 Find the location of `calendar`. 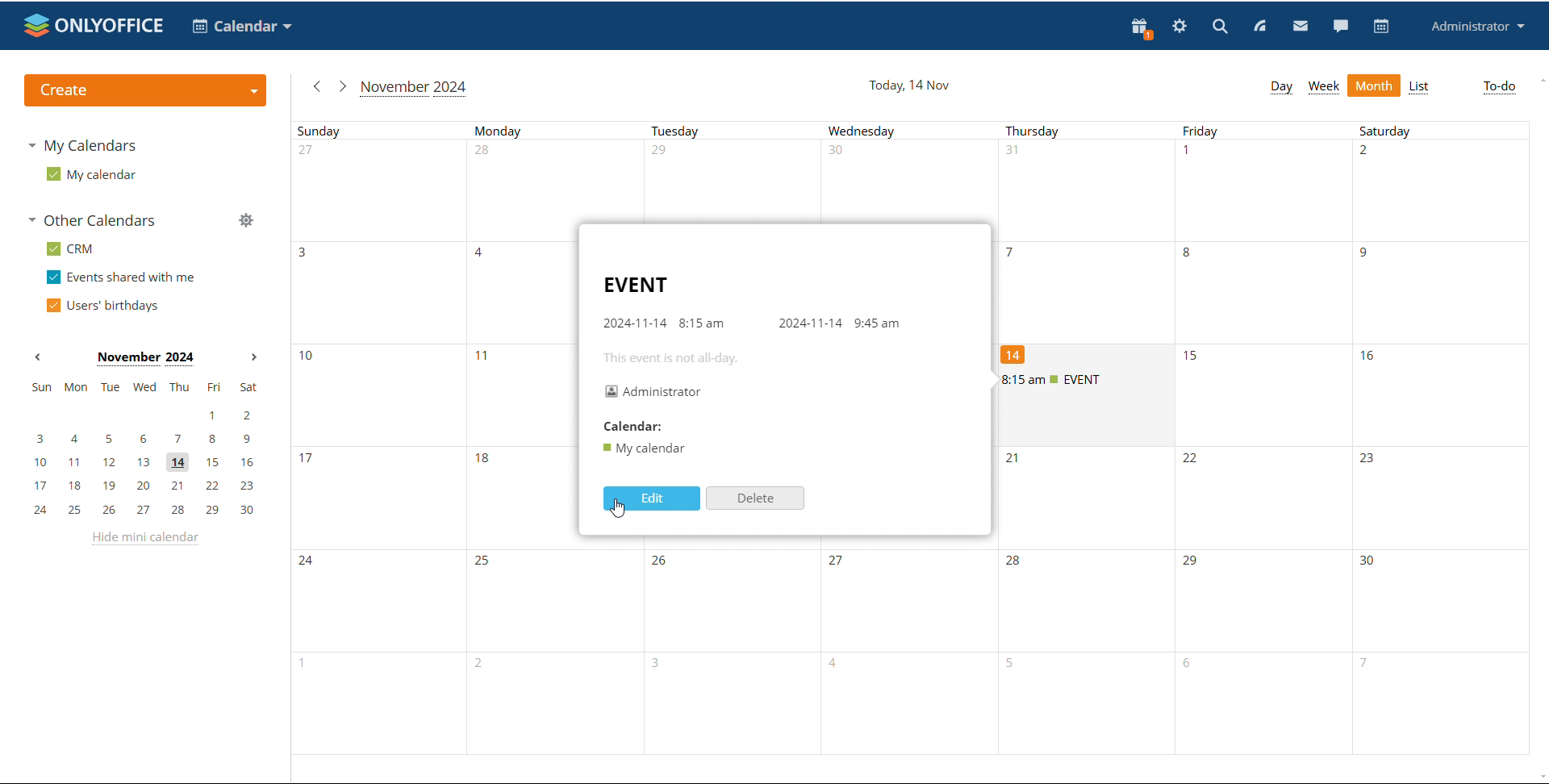

calendar is located at coordinates (644, 449).